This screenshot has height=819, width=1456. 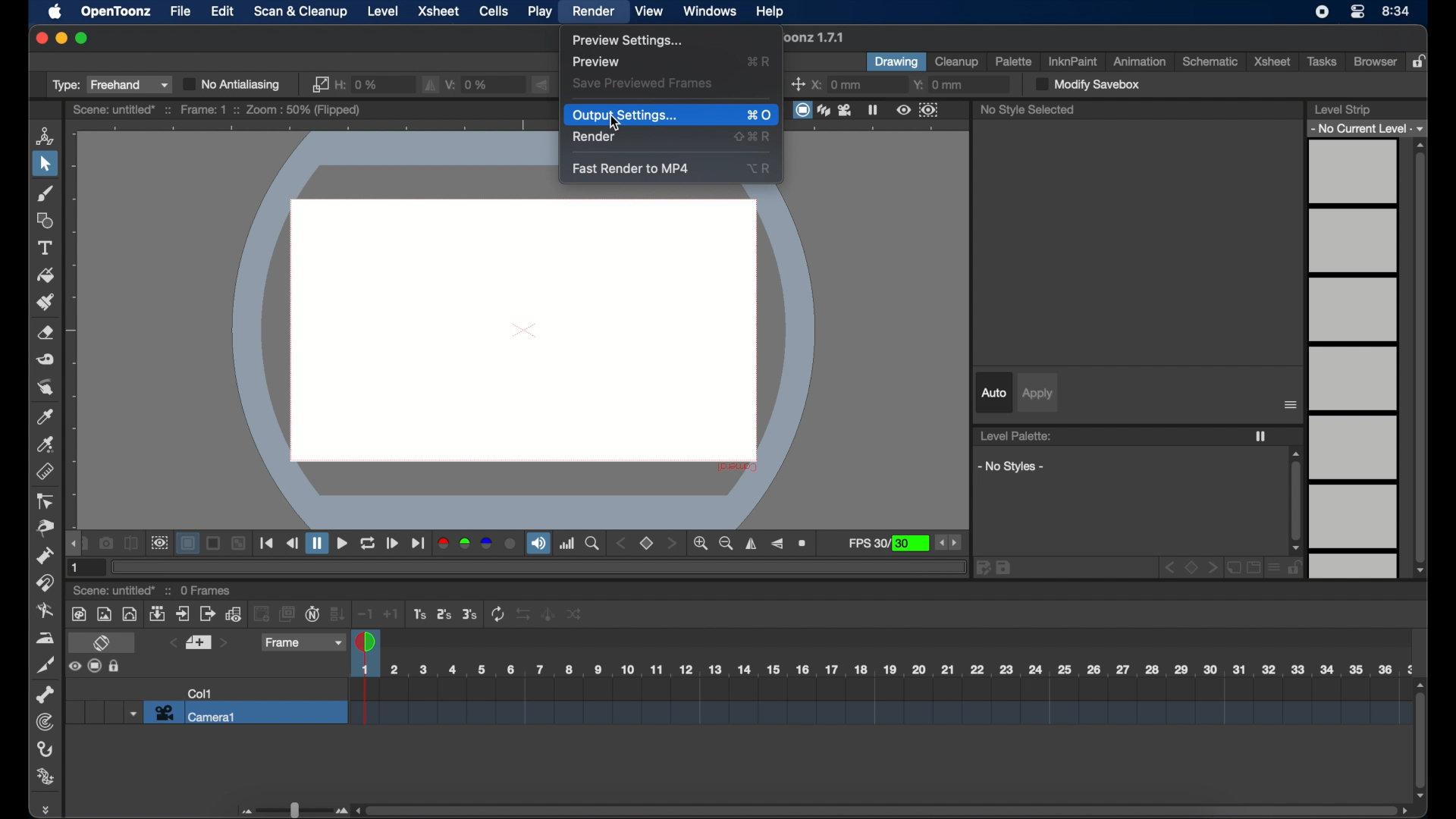 I want to click on screen recorder icon, so click(x=1323, y=11).